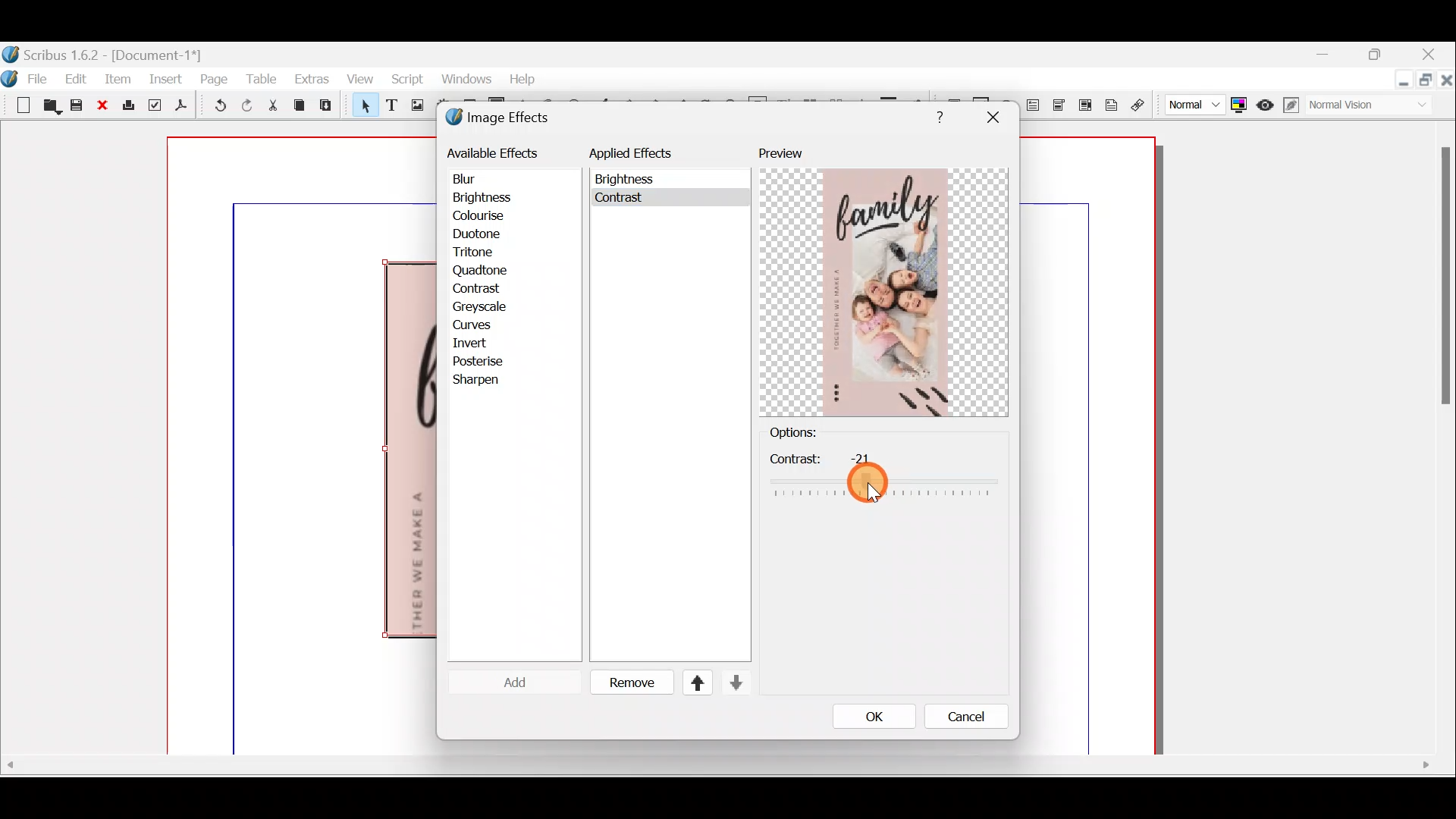 This screenshot has width=1456, height=819. What do you see at coordinates (118, 78) in the screenshot?
I see `Item` at bounding box center [118, 78].